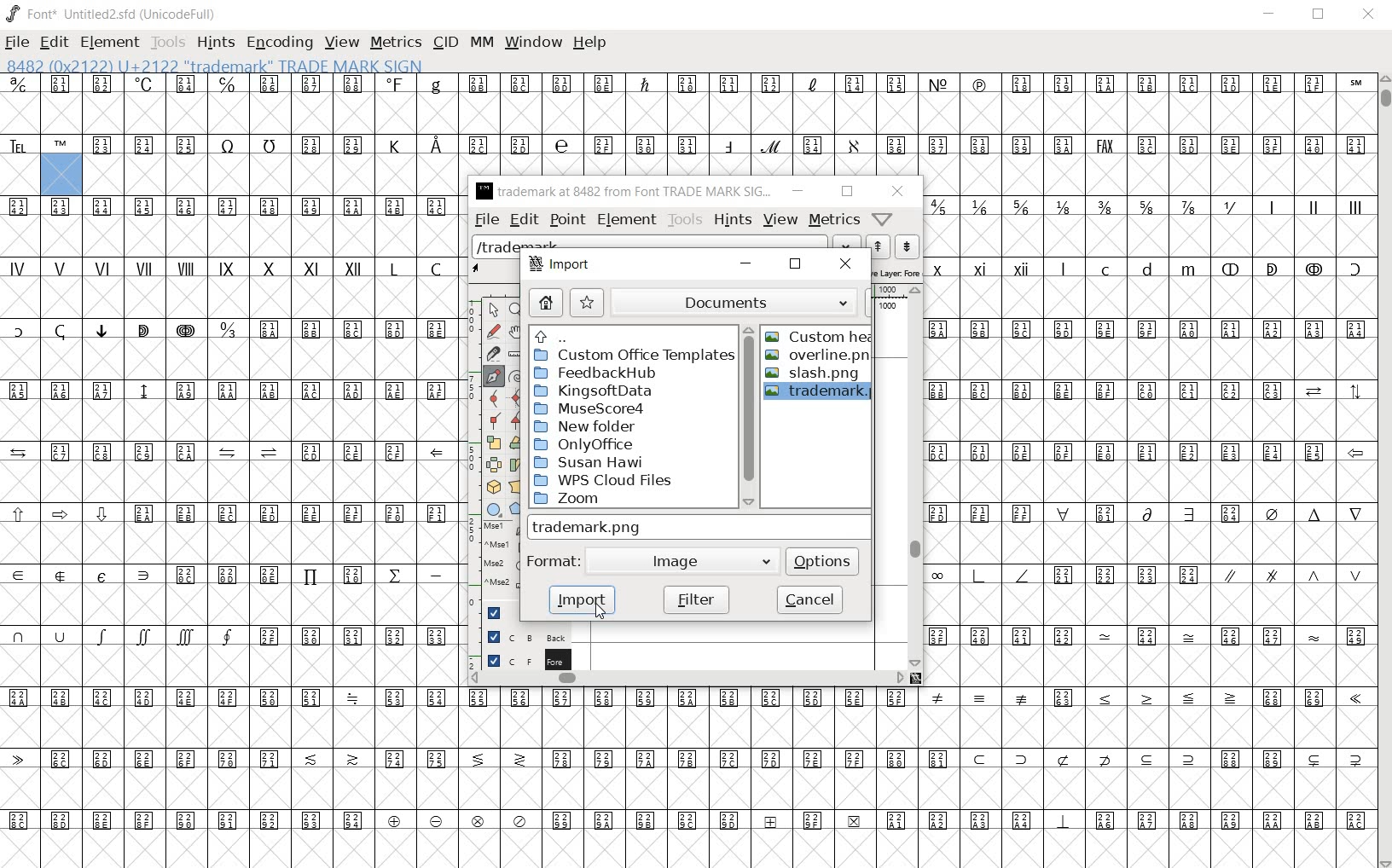 This screenshot has height=868, width=1392. Describe the element at coordinates (531, 43) in the screenshot. I see `WINDOW` at that location.